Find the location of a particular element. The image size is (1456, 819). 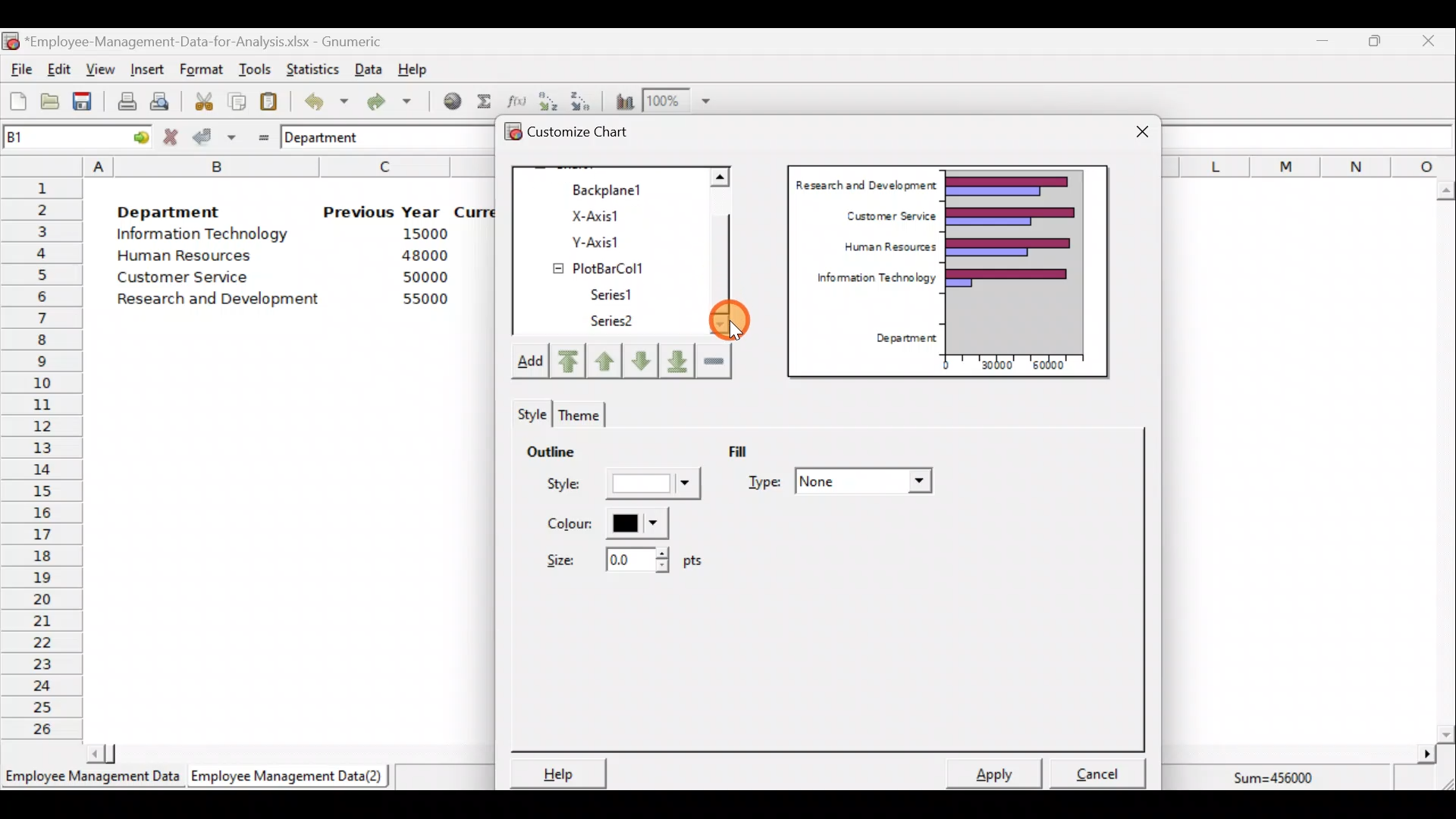

Customer Service is located at coordinates (187, 281).